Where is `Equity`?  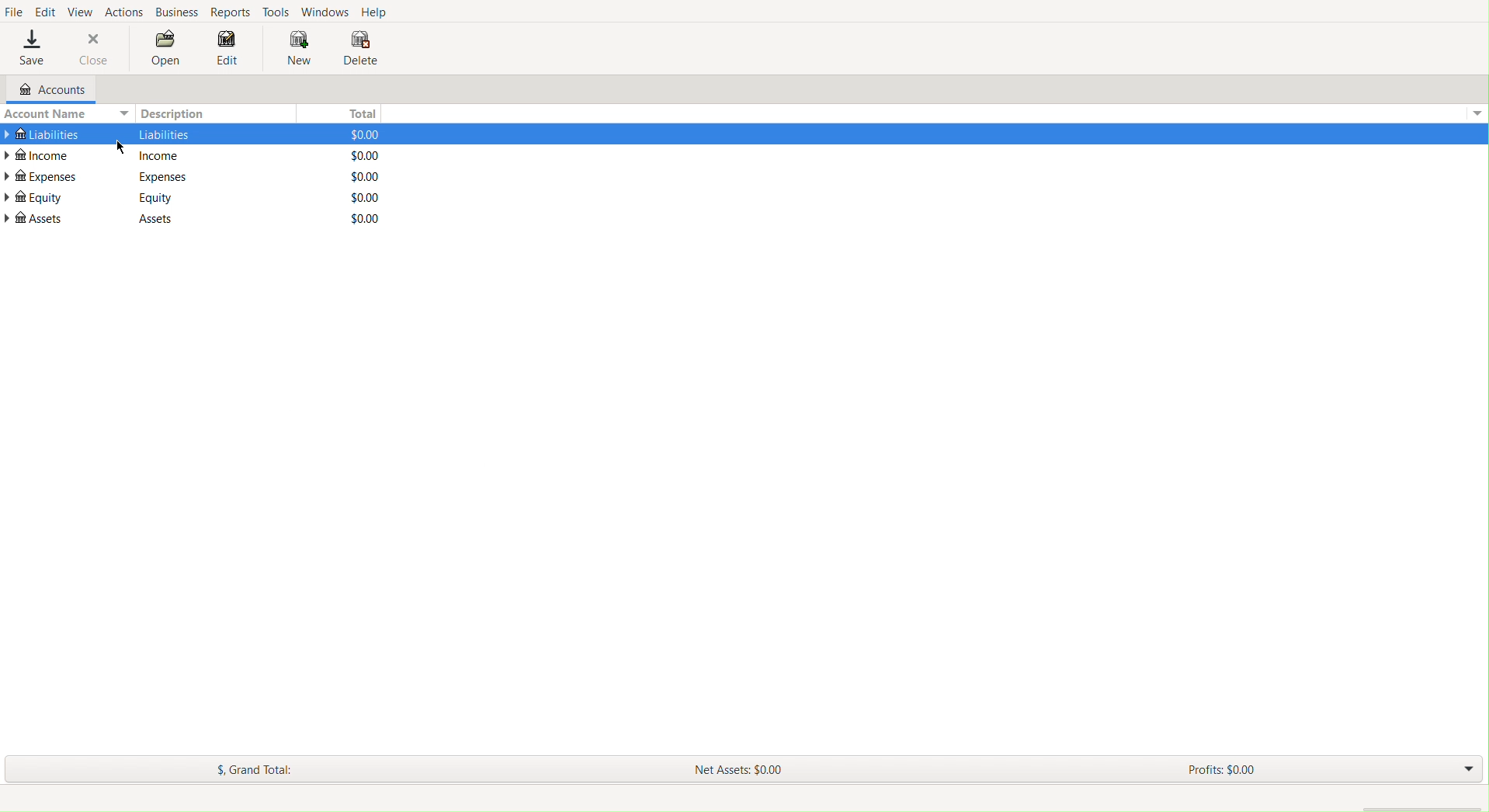
Equity is located at coordinates (157, 197).